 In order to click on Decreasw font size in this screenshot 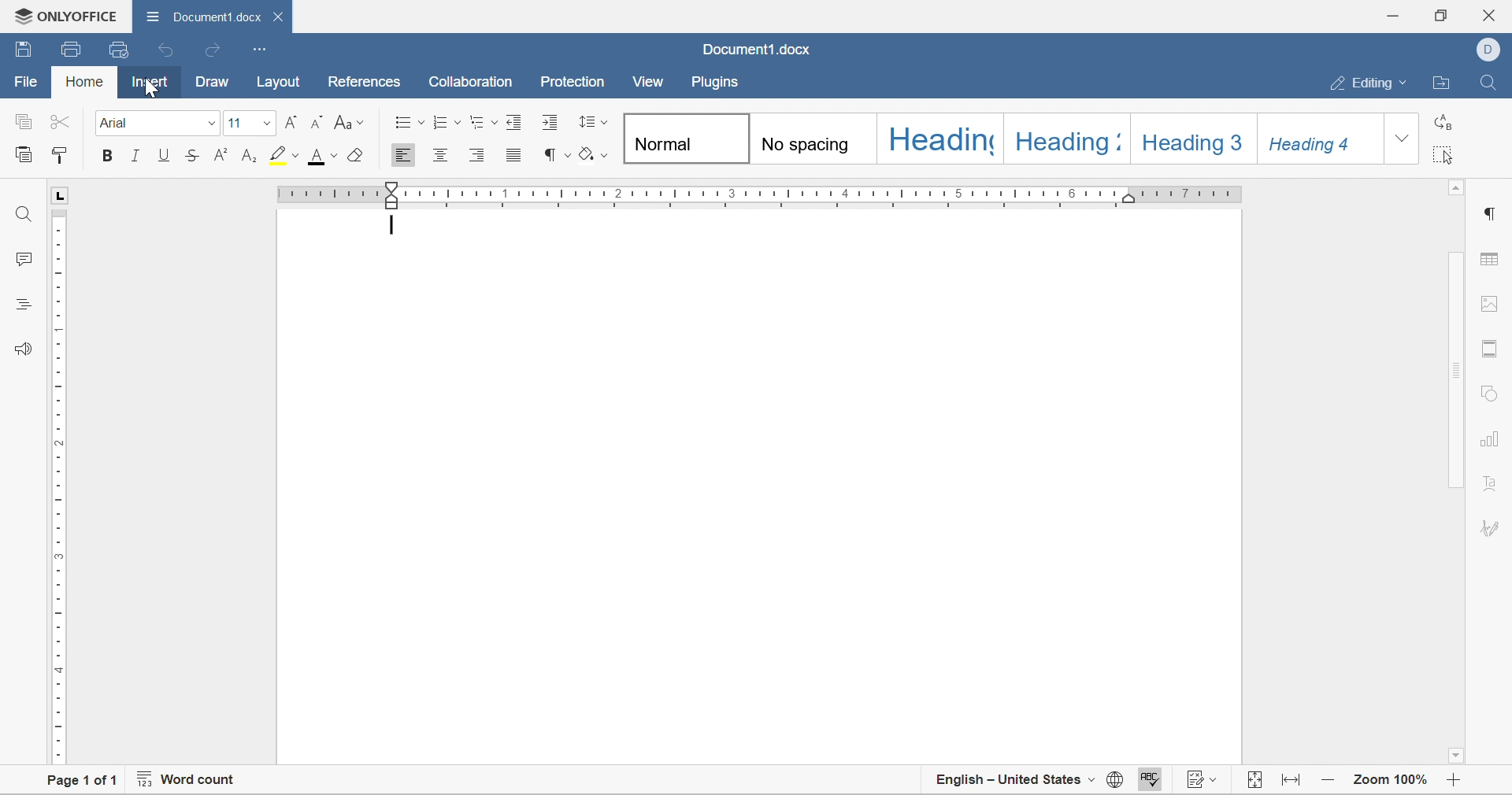, I will do `click(321, 121)`.